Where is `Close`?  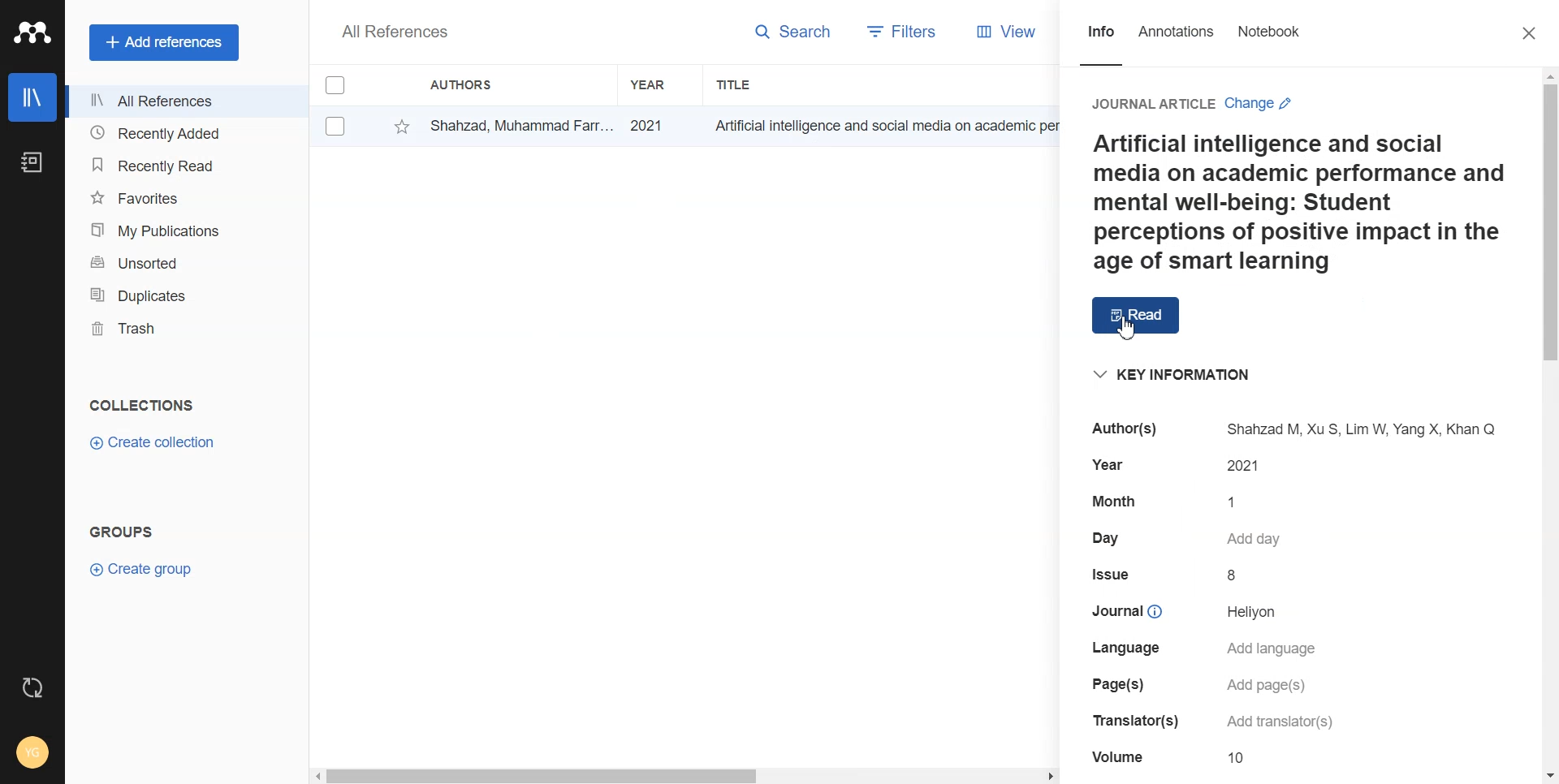
Close is located at coordinates (1533, 33).